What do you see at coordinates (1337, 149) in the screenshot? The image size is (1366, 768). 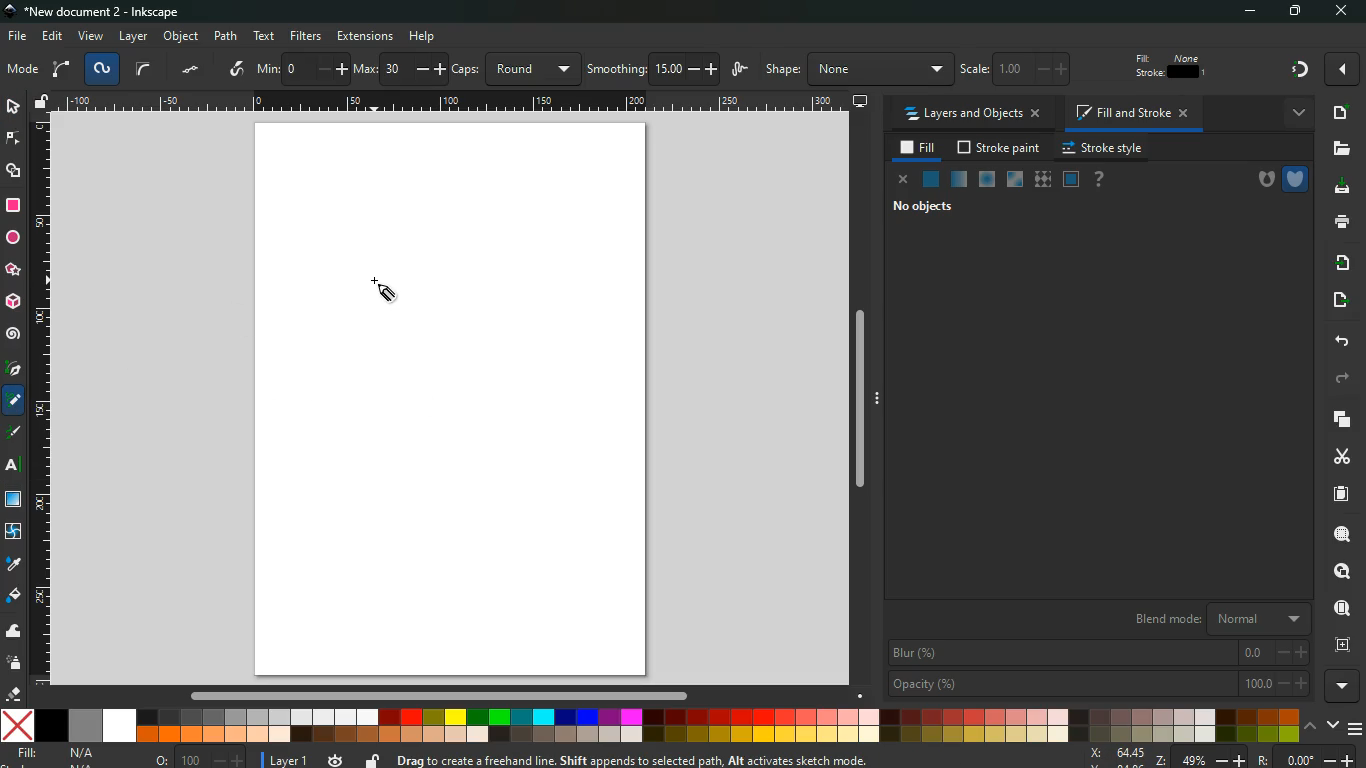 I see `files` at bounding box center [1337, 149].